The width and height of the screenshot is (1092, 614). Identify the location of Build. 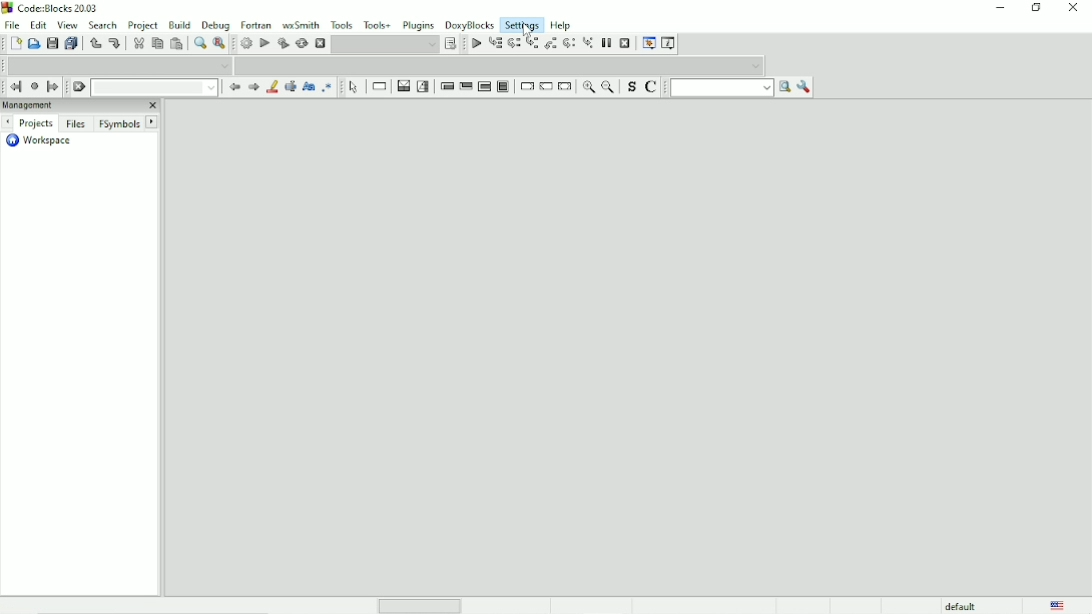
(179, 25).